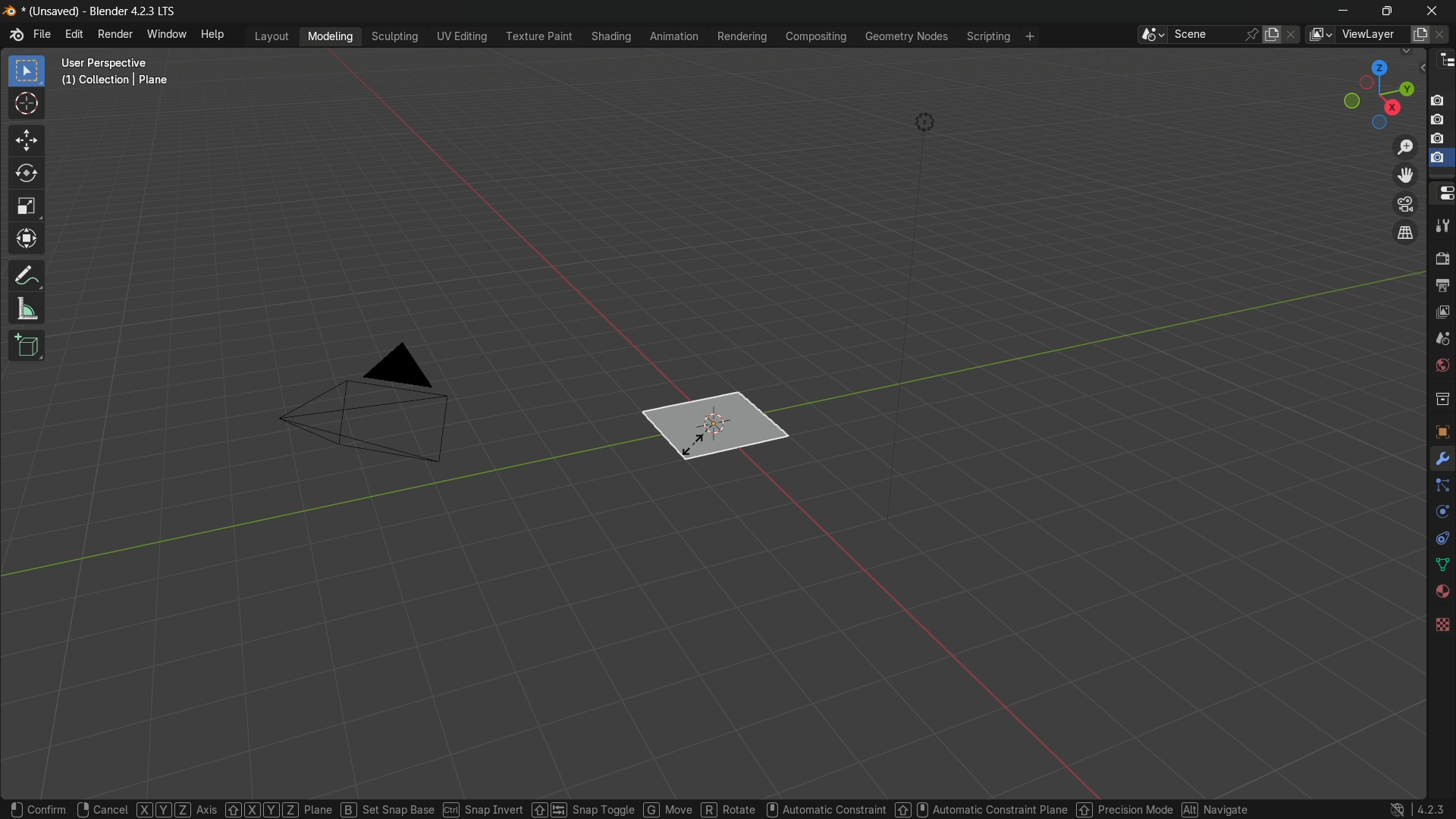 The height and width of the screenshot is (819, 1456). What do you see at coordinates (27, 209) in the screenshot?
I see `scale` at bounding box center [27, 209].